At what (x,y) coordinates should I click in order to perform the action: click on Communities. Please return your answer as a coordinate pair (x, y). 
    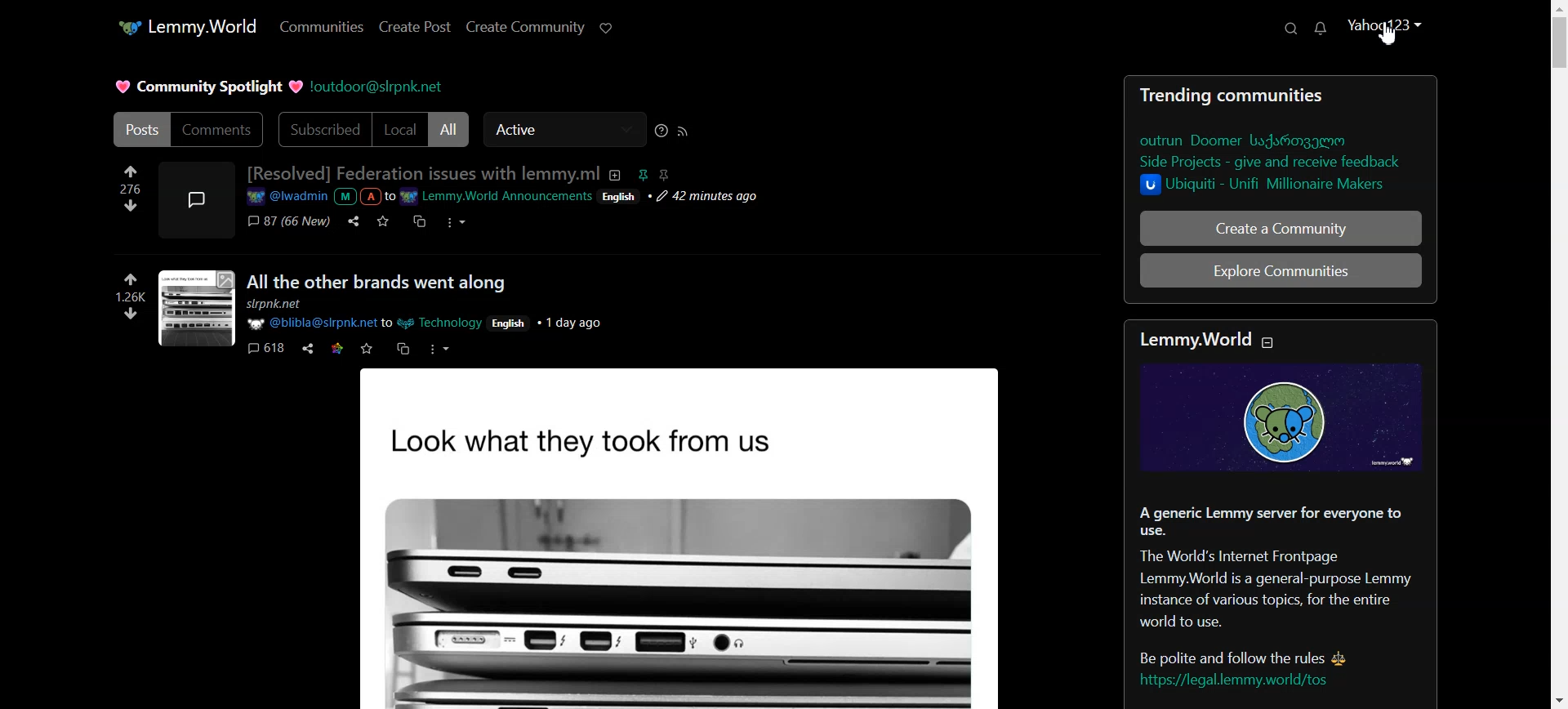
    Looking at the image, I should click on (319, 27).